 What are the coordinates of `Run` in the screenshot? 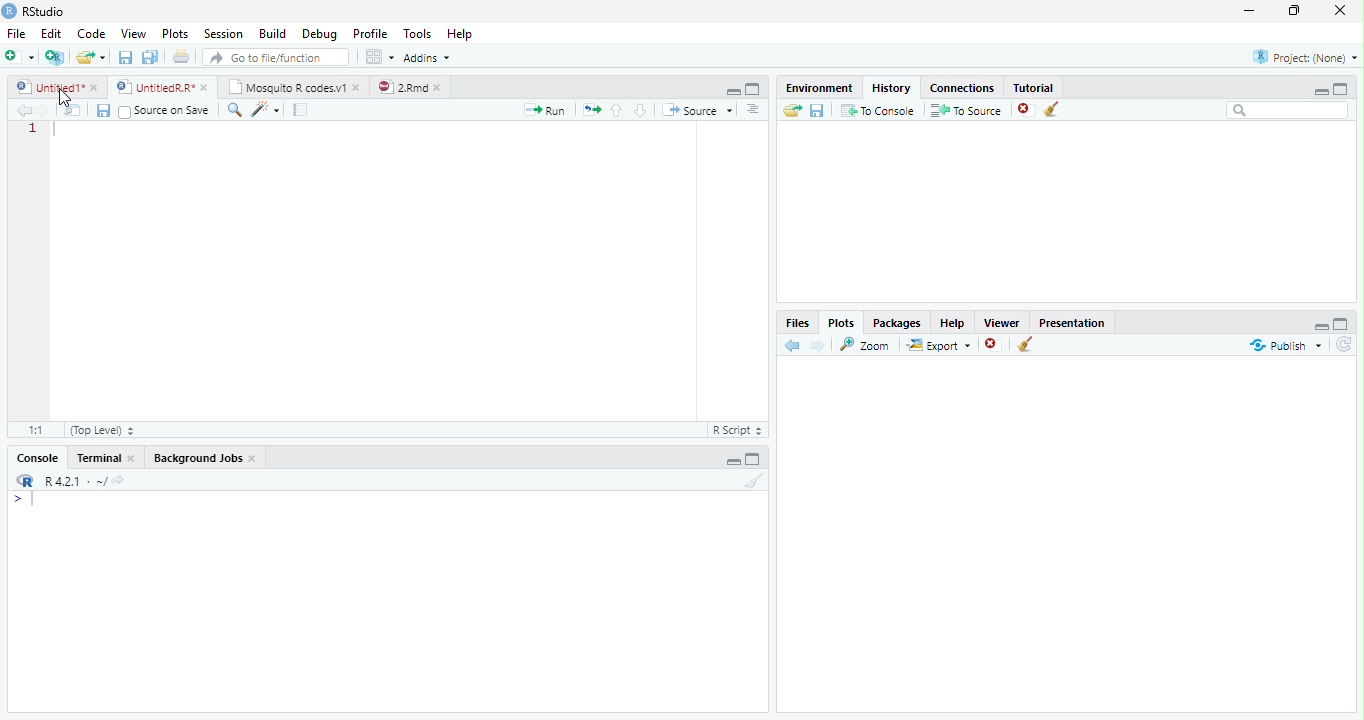 It's located at (546, 110).